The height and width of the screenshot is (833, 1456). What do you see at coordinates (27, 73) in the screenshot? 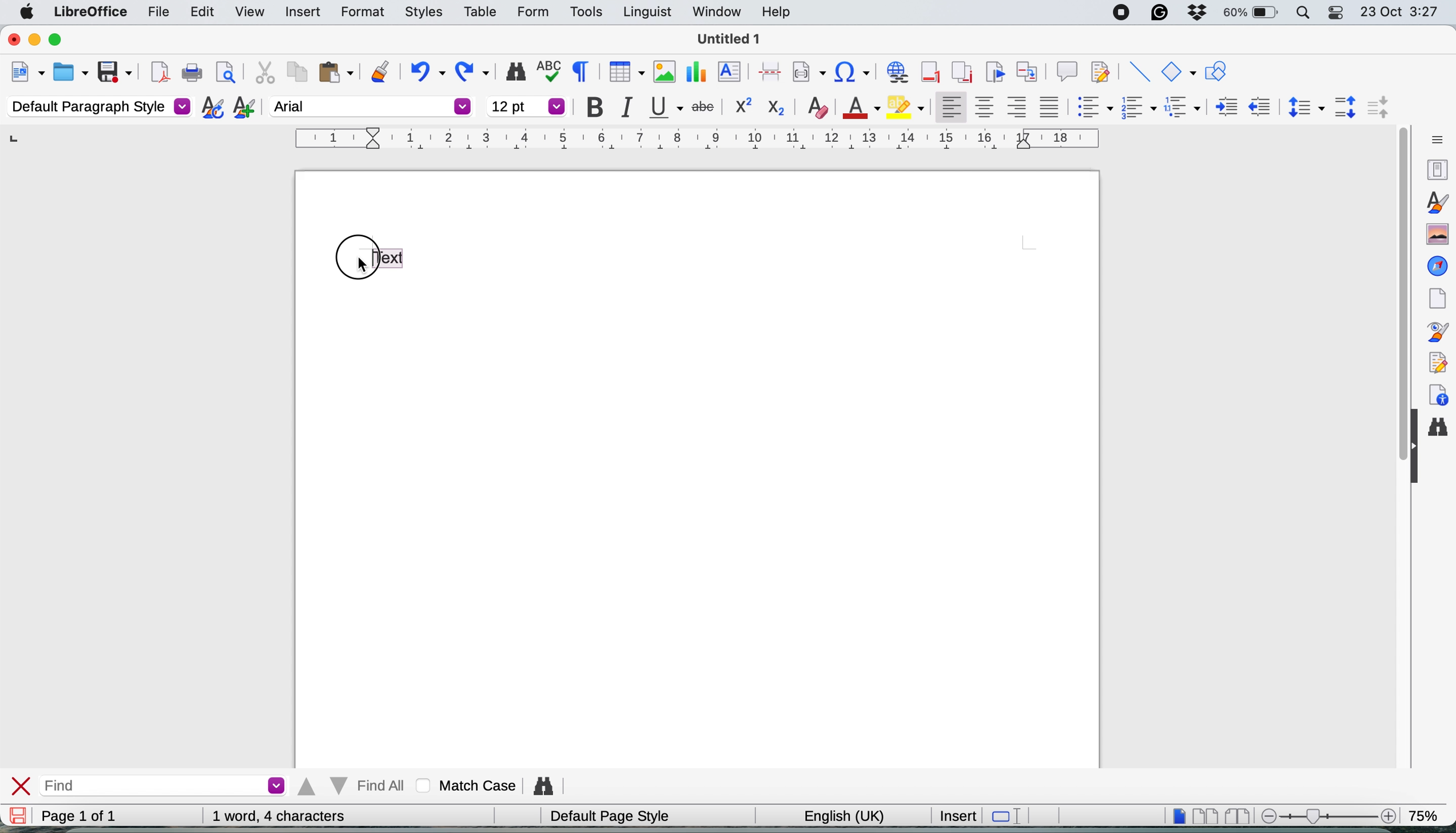
I see `new` at bounding box center [27, 73].